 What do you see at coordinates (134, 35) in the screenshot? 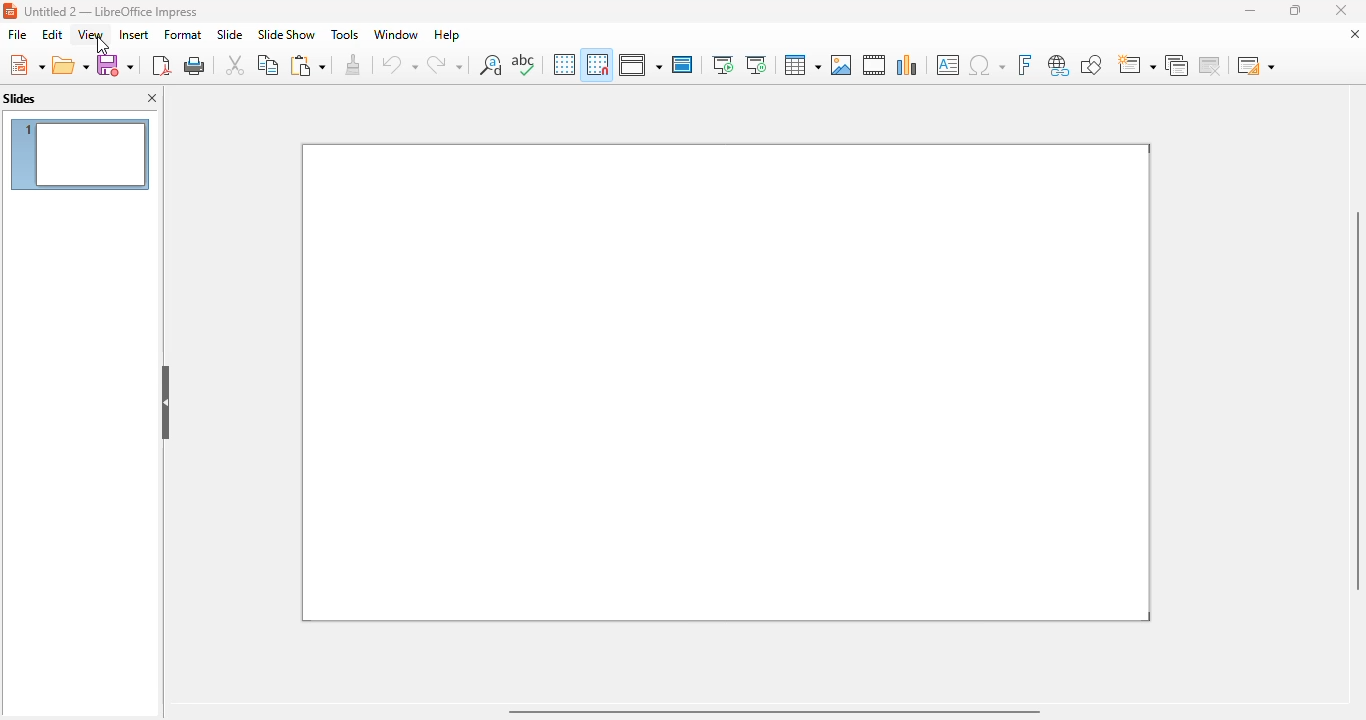
I see `insert` at bounding box center [134, 35].